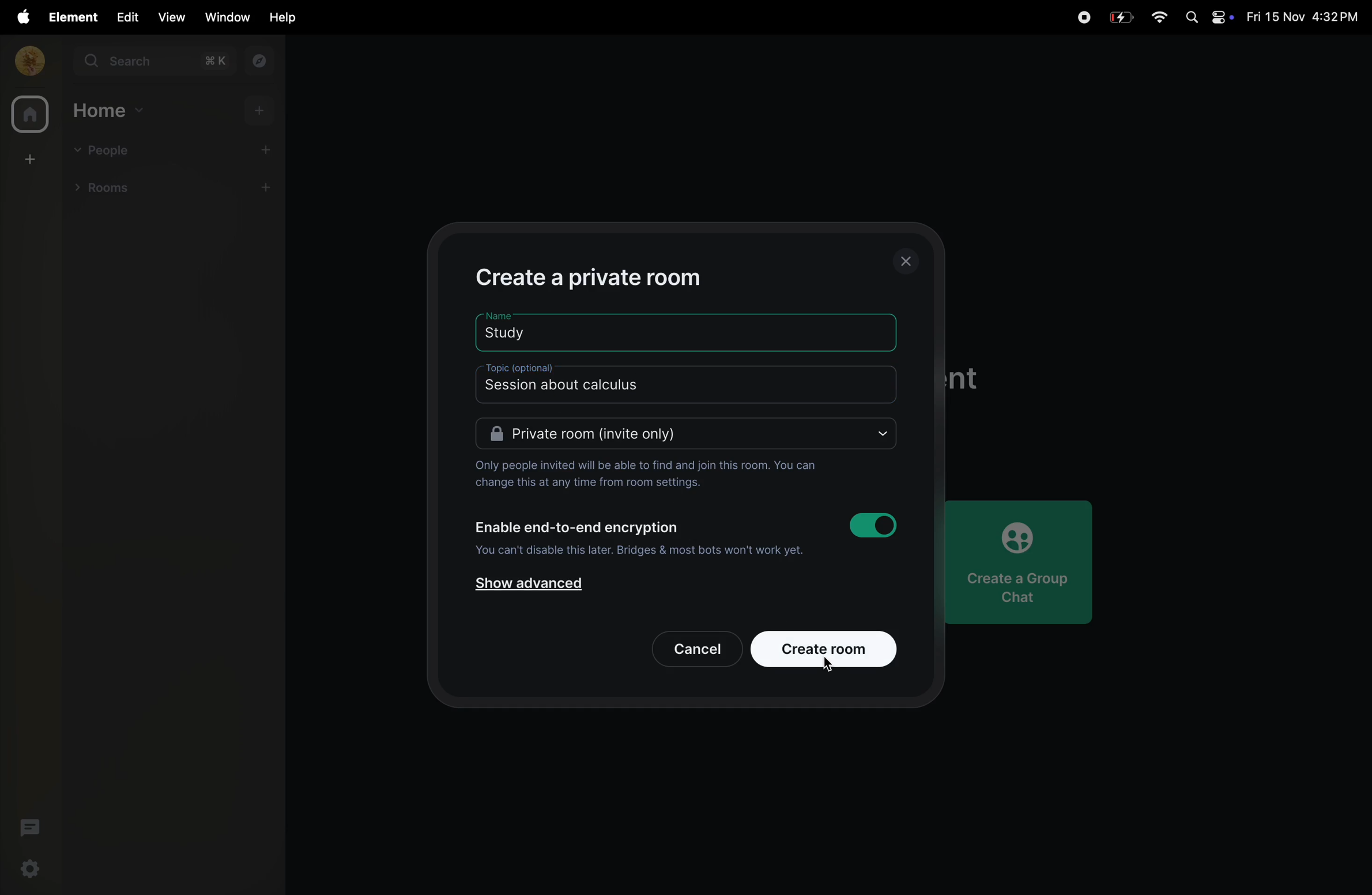  Describe the element at coordinates (270, 189) in the screenshot. I see `add rooms` at that location.